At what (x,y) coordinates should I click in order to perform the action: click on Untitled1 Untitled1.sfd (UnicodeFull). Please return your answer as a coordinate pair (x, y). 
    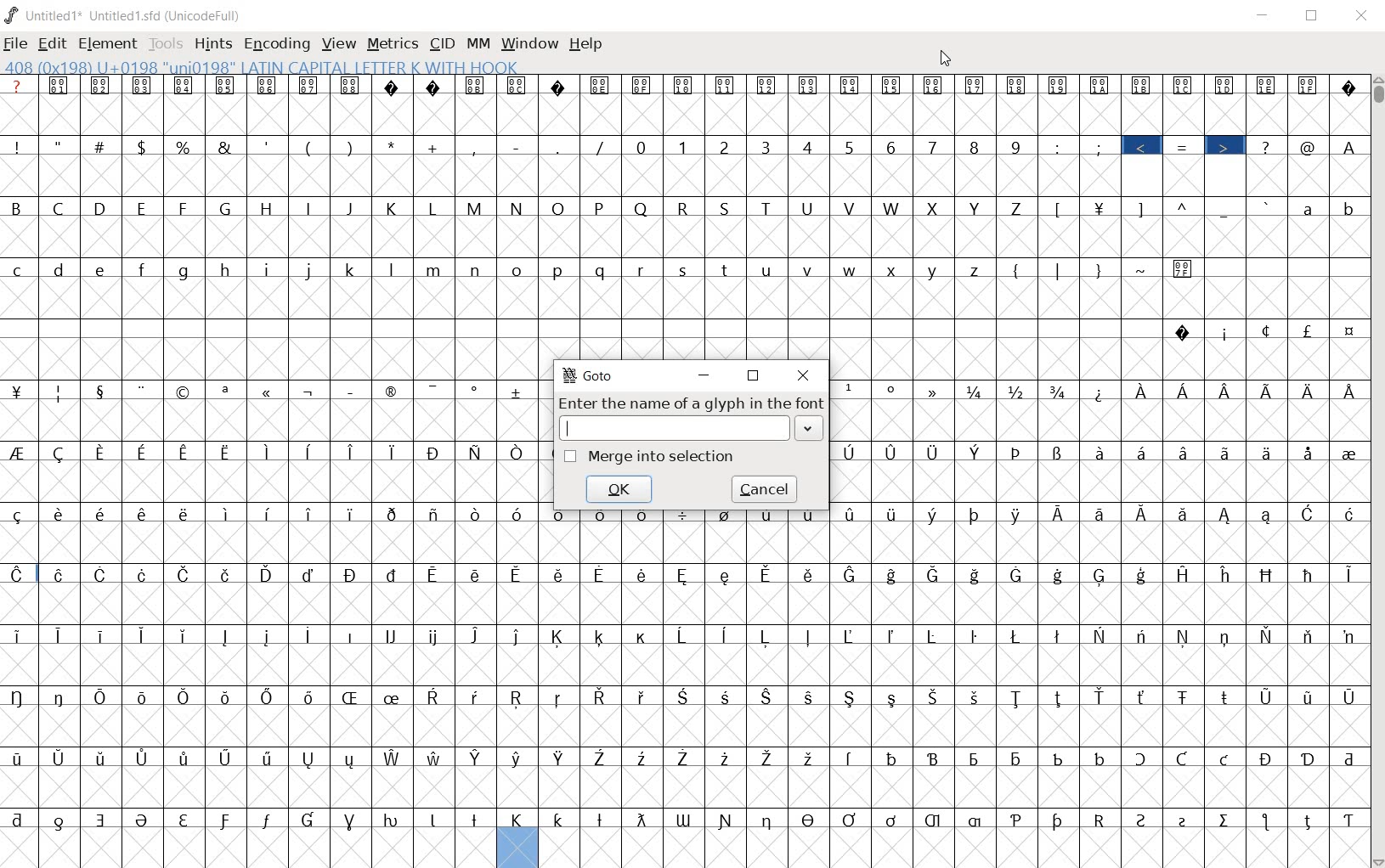
    Looking at the image, I should click on (128, 20).